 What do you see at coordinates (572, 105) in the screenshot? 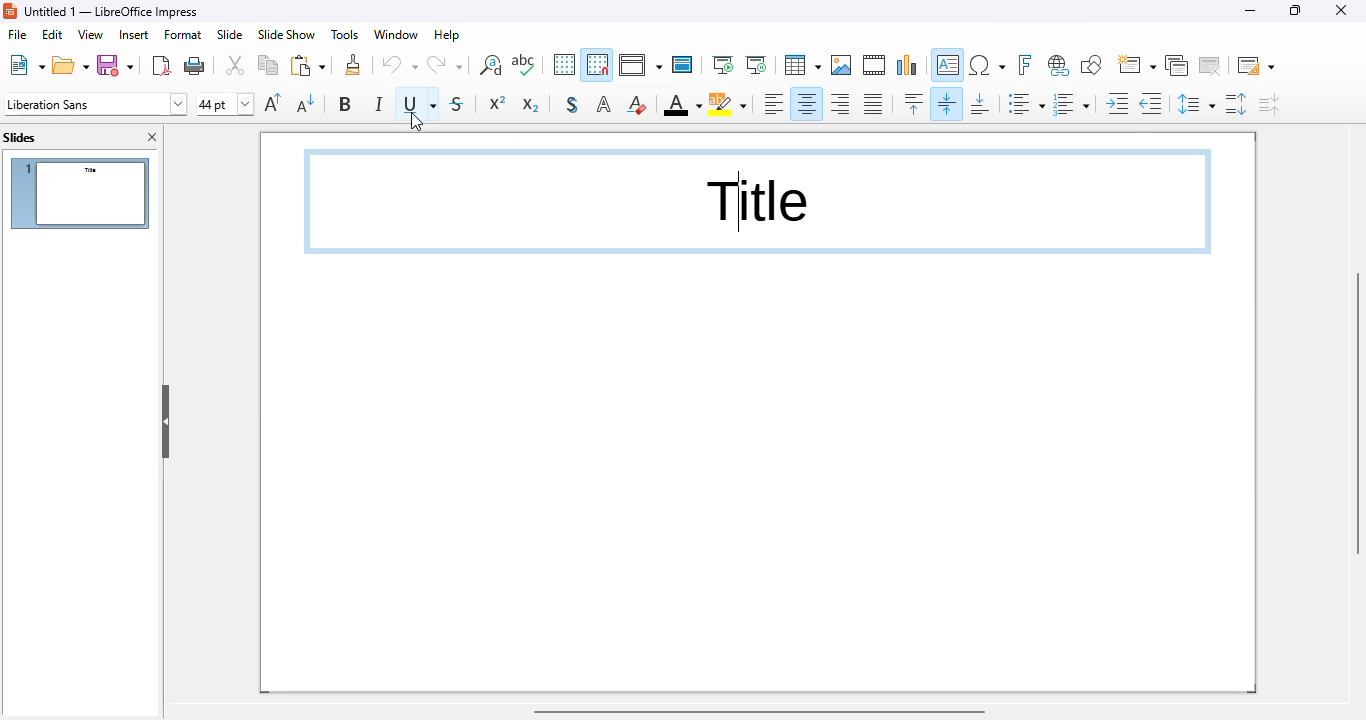
I see `toggle shadow` at bounding box center [572, 105].